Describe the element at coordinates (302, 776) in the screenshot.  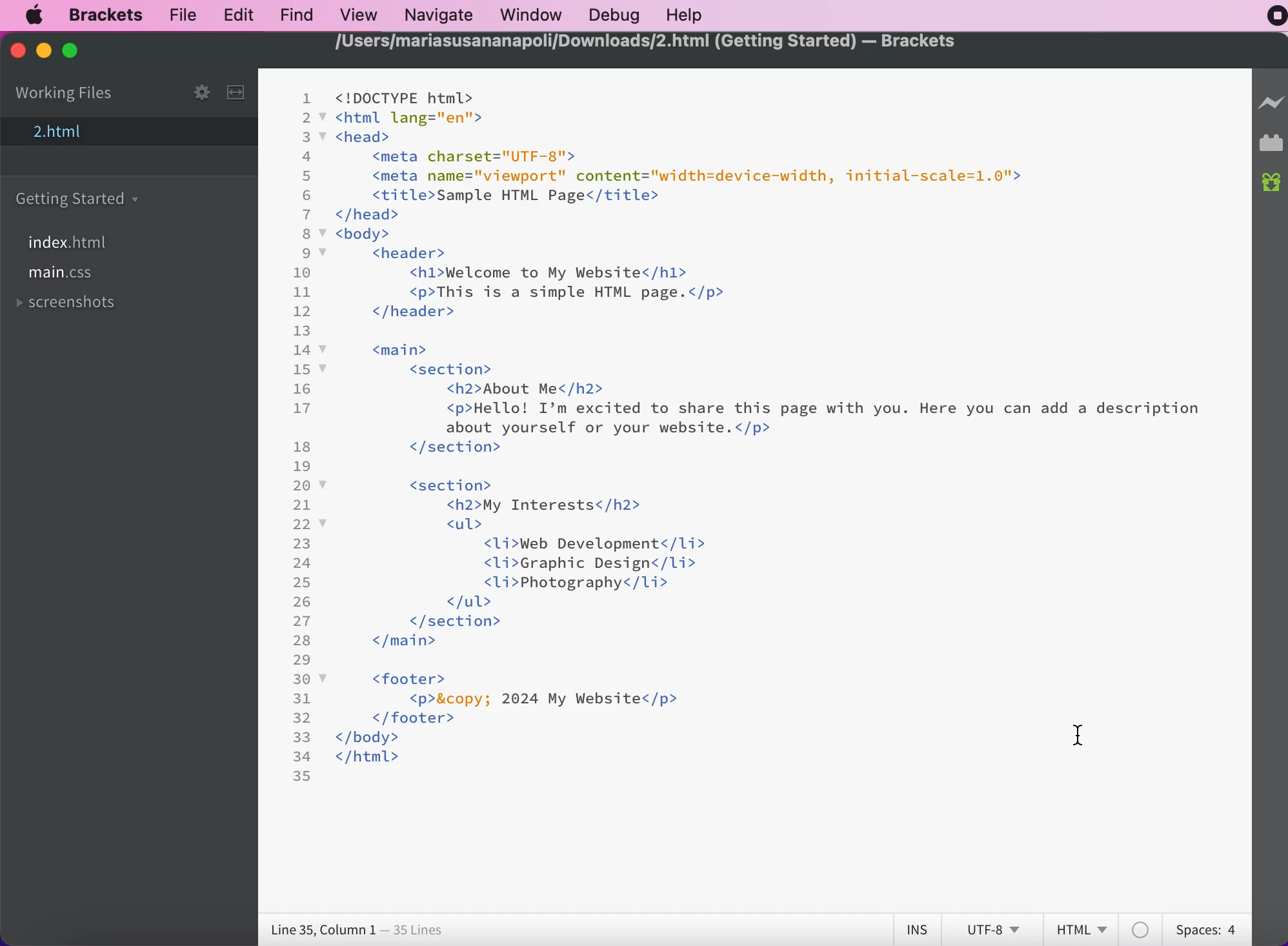
I see `35` at that location.